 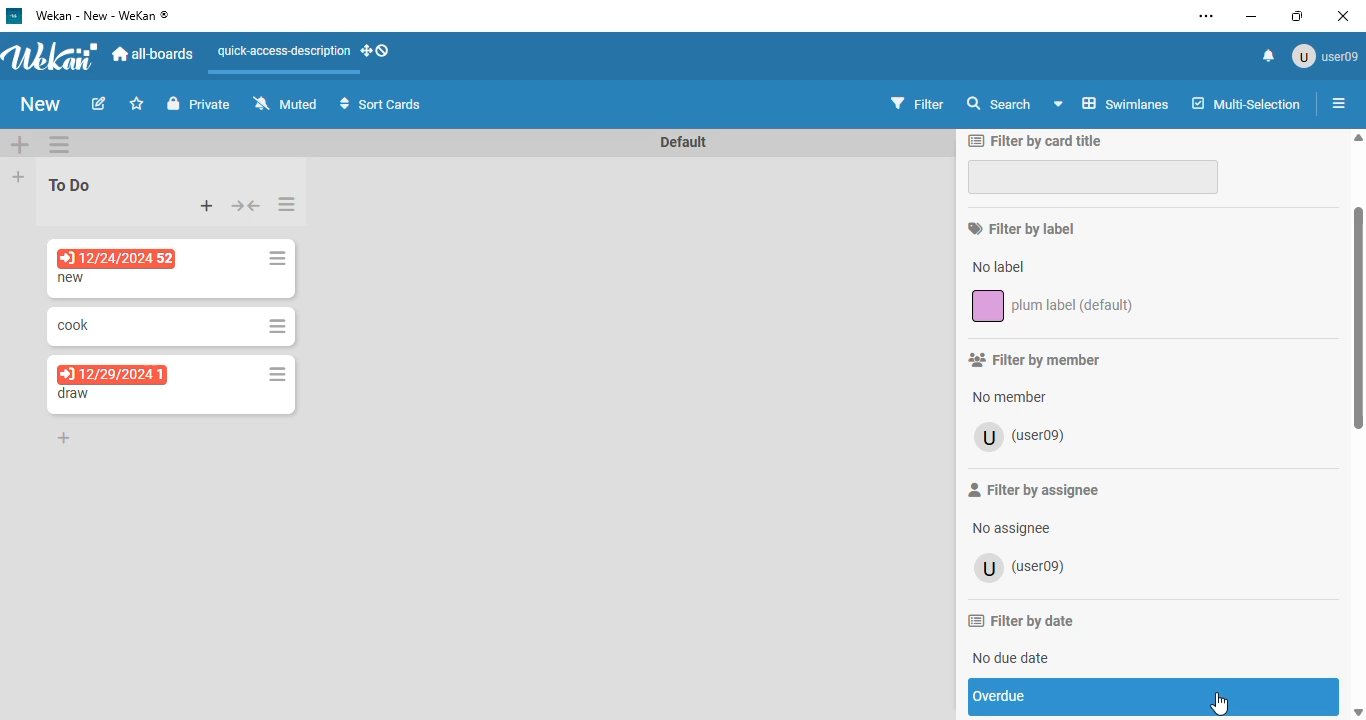 What do you see at coordinates (277, 259) in the screenshot?
I see `card actions` at bounding box center [277, 259].